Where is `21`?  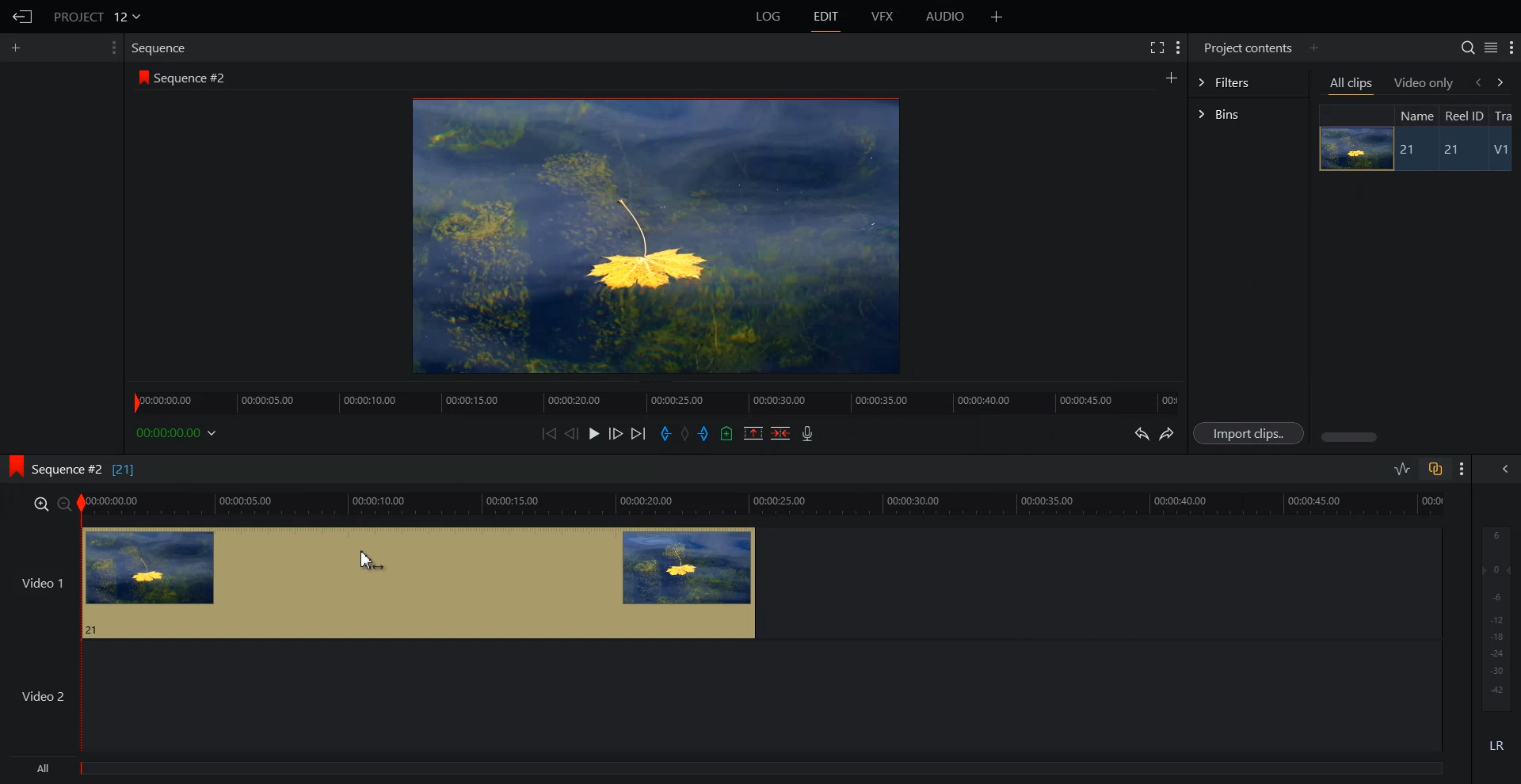 21 is located at coordinates (1458, 150).